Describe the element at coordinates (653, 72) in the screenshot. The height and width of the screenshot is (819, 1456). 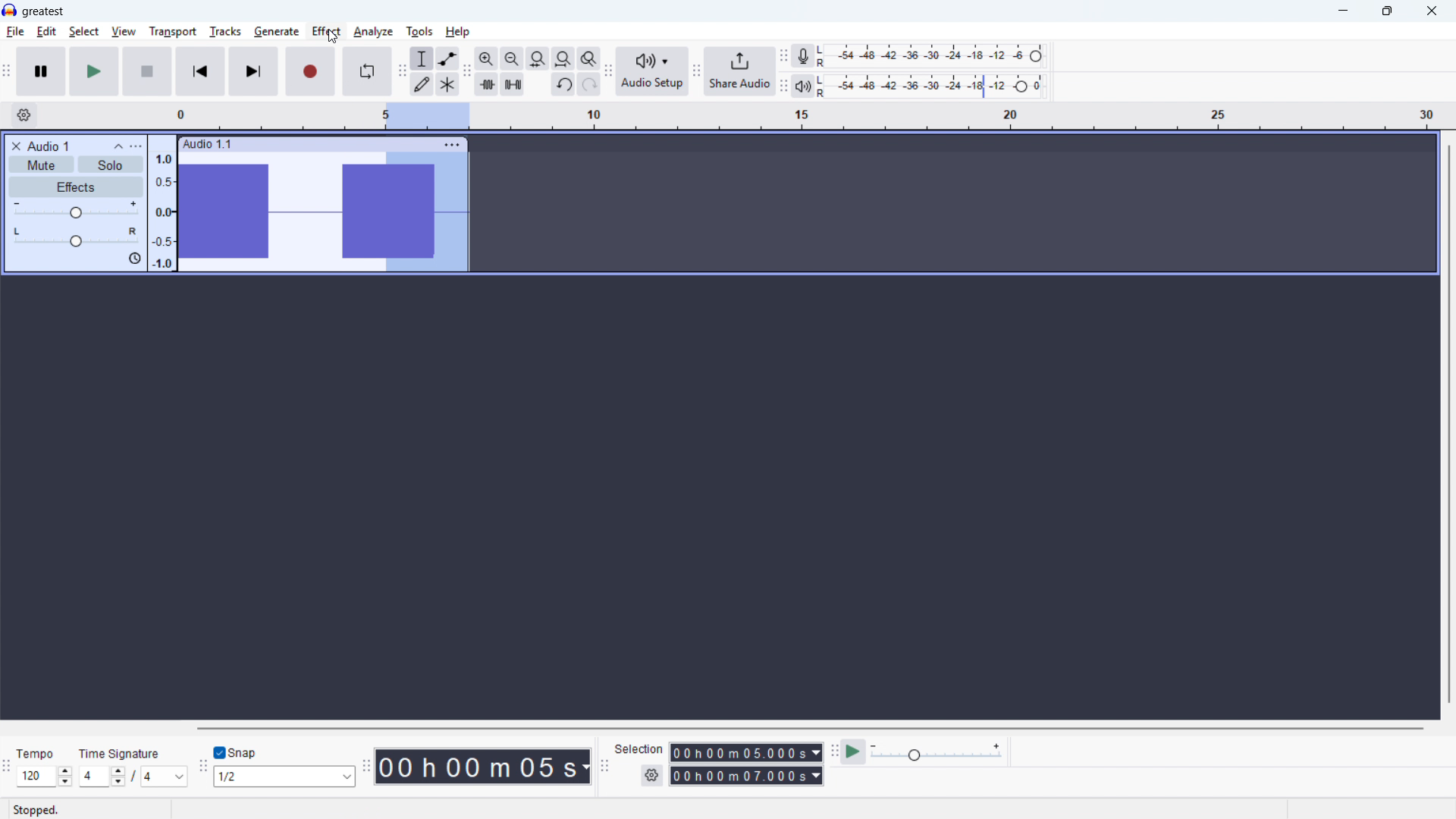
I see `Audio setup ` at that location.